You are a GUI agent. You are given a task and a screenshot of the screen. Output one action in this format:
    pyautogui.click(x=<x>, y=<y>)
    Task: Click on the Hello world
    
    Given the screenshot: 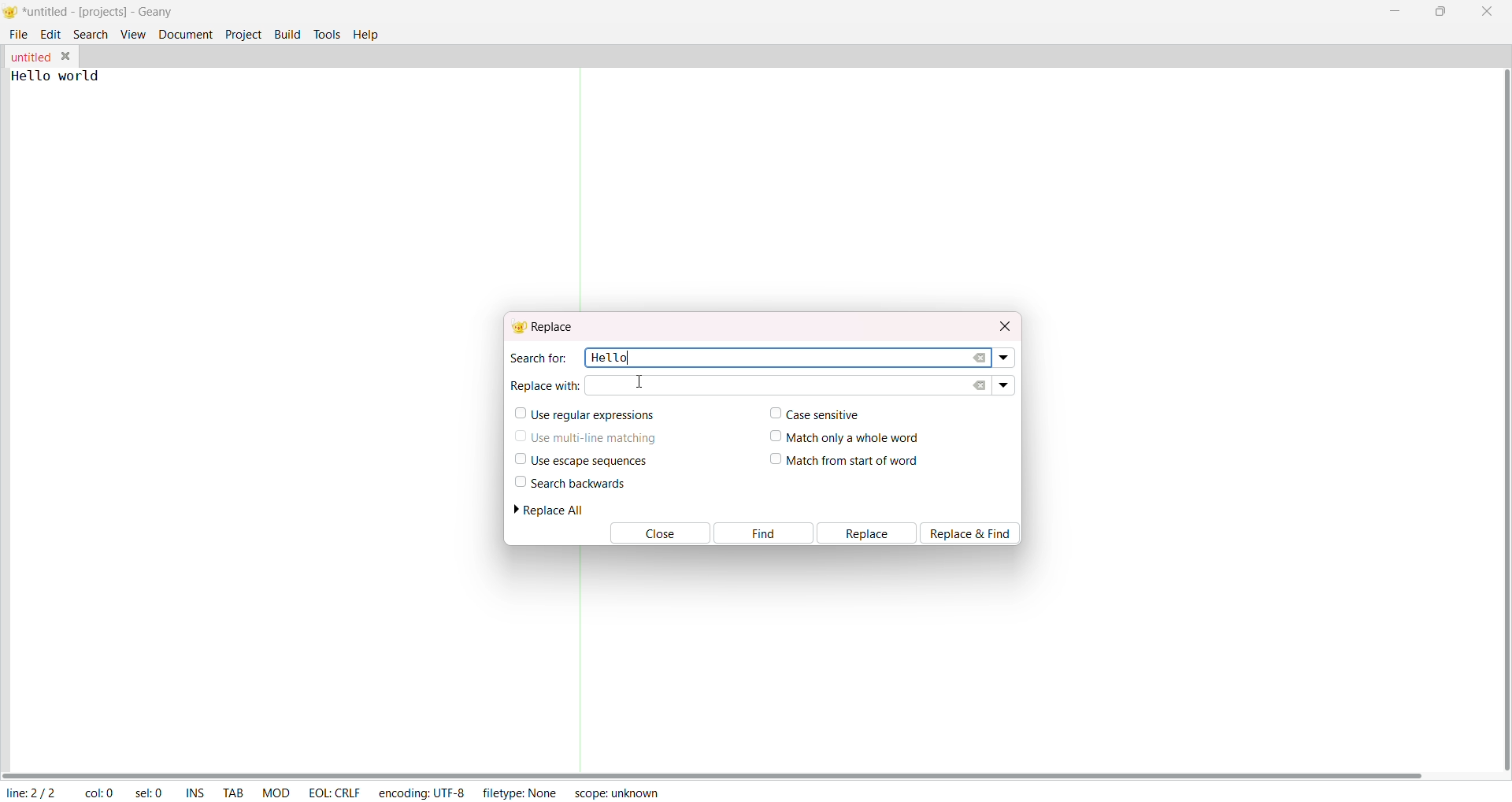 What is the action you would take?
    pyautogui.click(x=68, y=76)
    